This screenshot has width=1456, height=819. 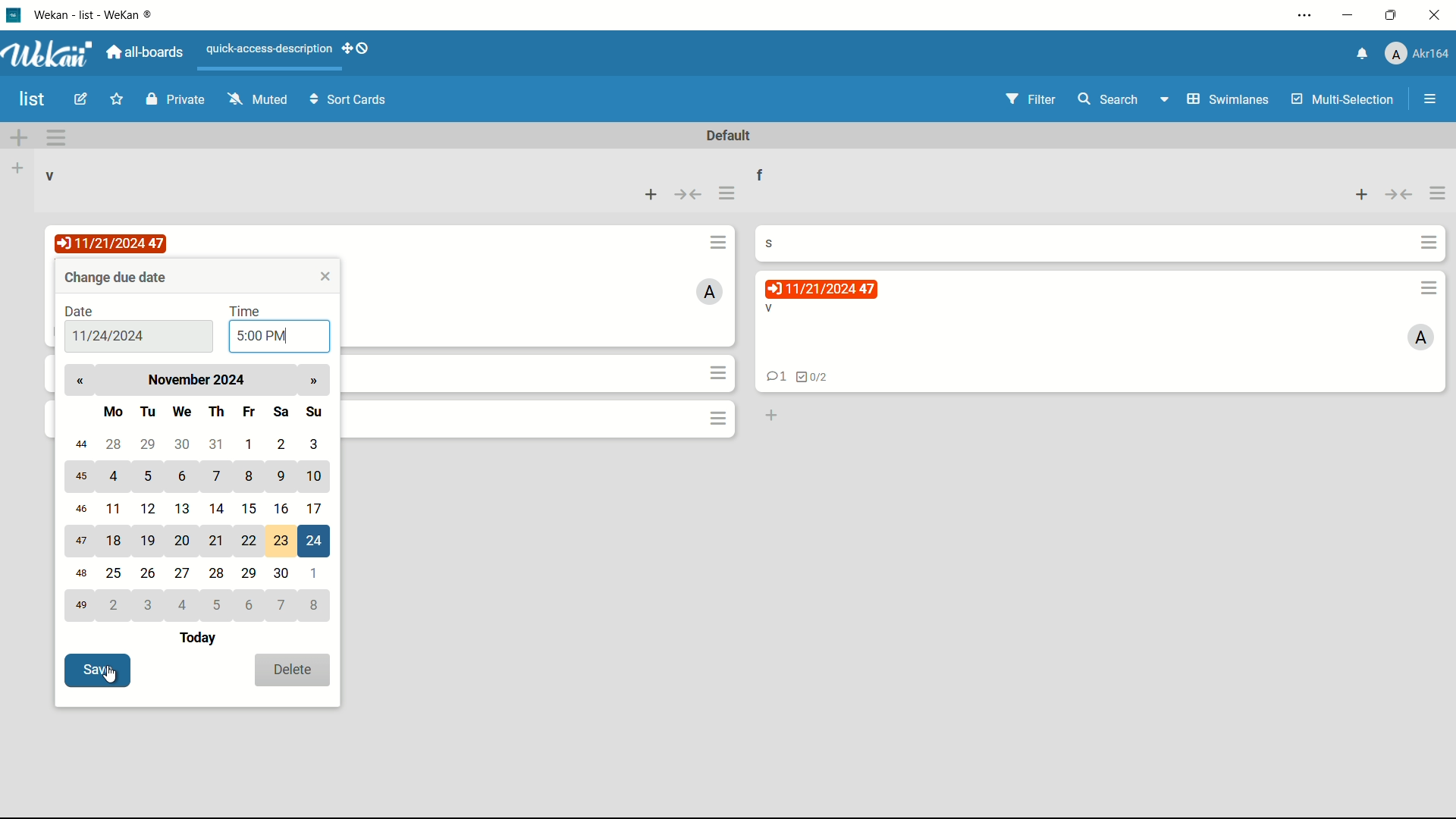 I want to click on date, so click(x=80, y=312).